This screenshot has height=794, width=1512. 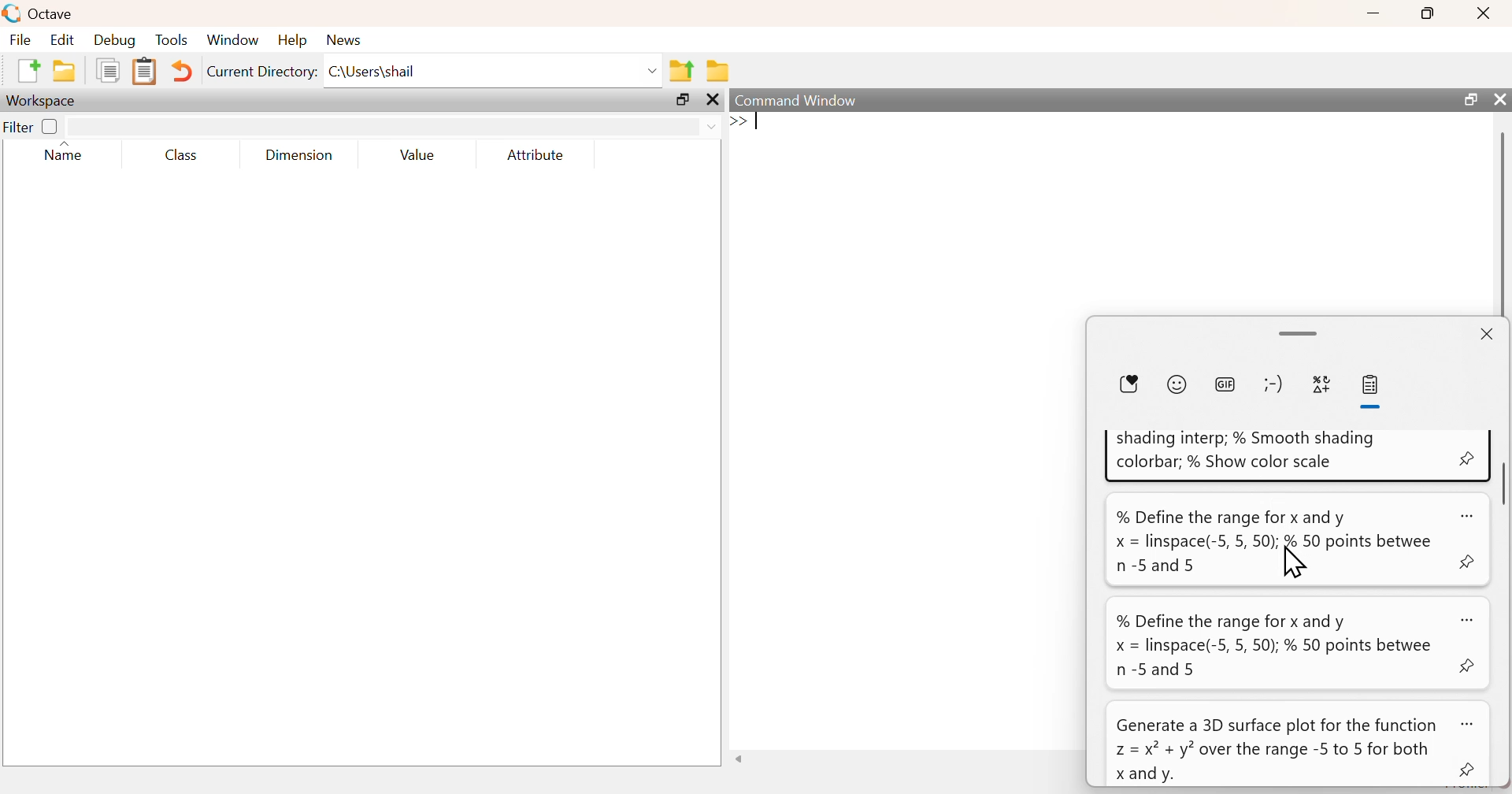 What do you see at coordinates (1274, 384) in the screenshot?
I see `Emoticon` at bounding box center [1274, 384].